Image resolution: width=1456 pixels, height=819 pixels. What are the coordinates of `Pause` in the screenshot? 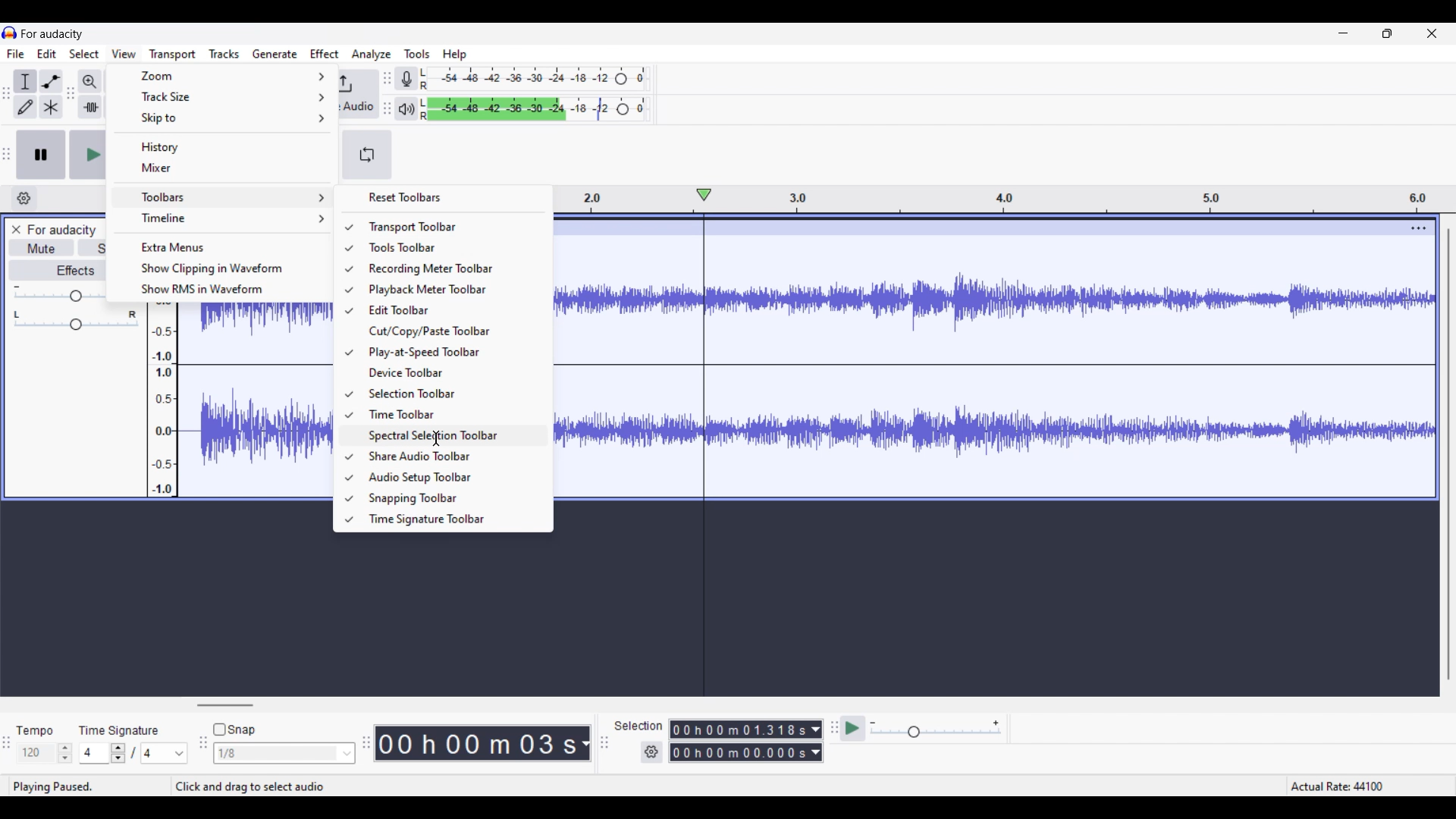 It's located at (41, 155).